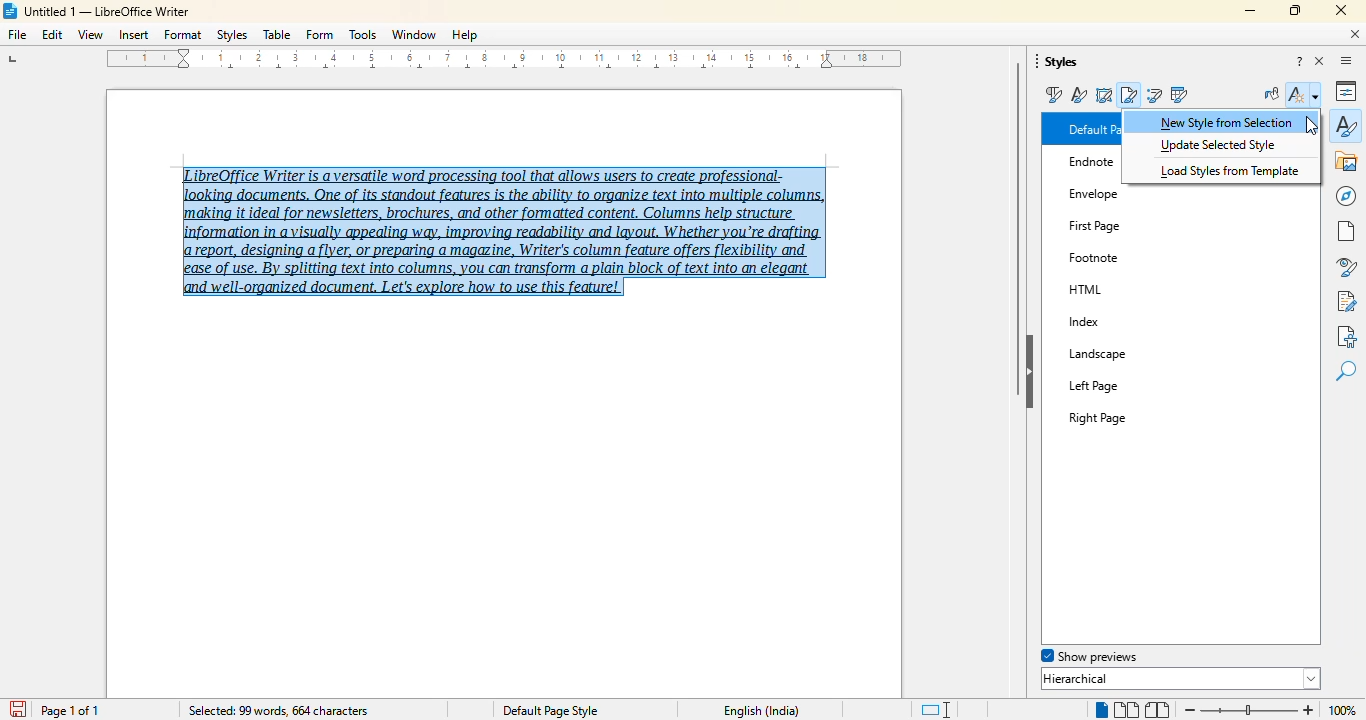 This screenshot has height=720, width=1366. What do you see at coordinates (232, 35) in the screenshot?
I see `styles` at bounding box center [232, 35].